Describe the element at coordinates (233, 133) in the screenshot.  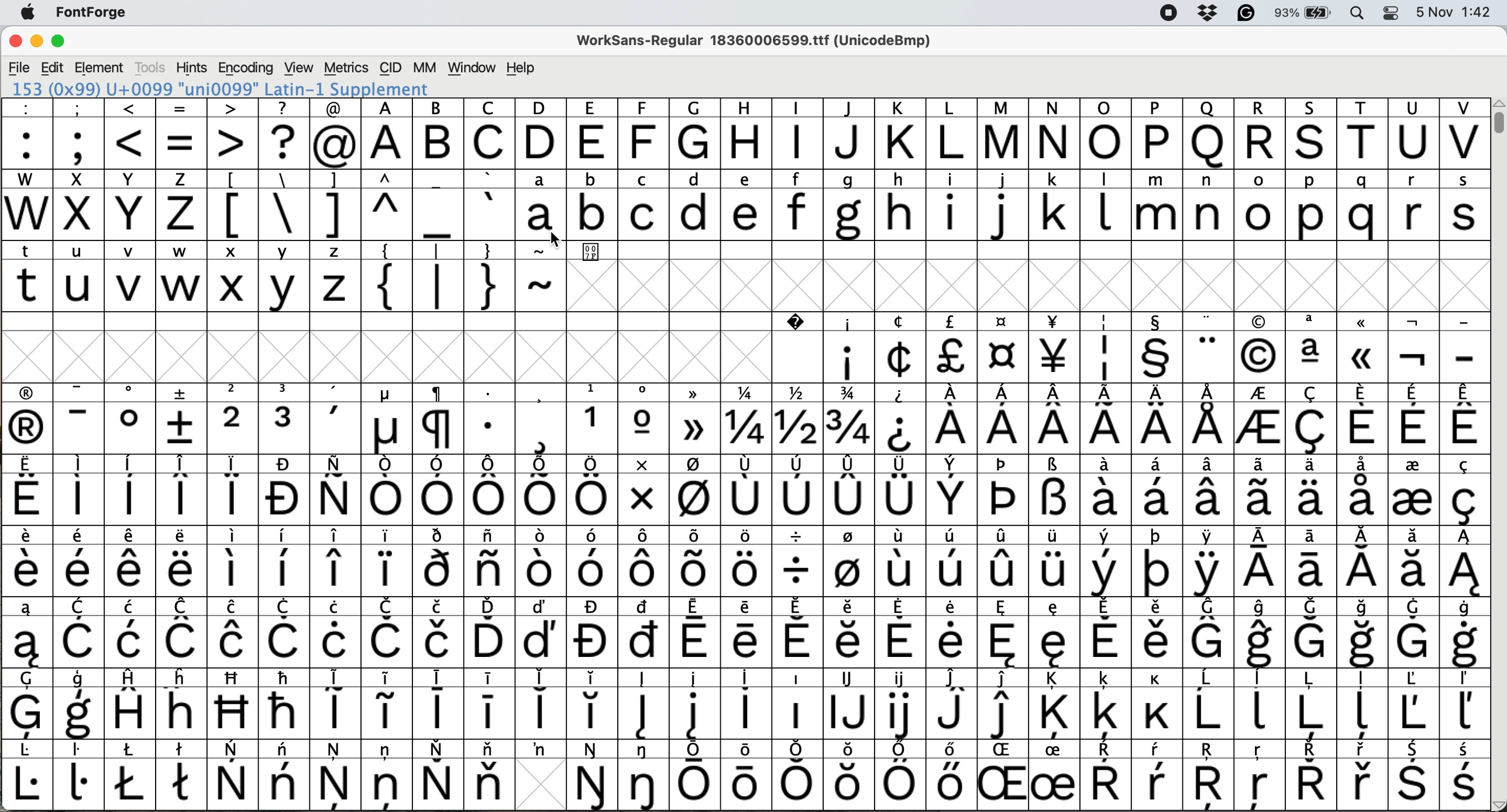
I see `>` at that location.